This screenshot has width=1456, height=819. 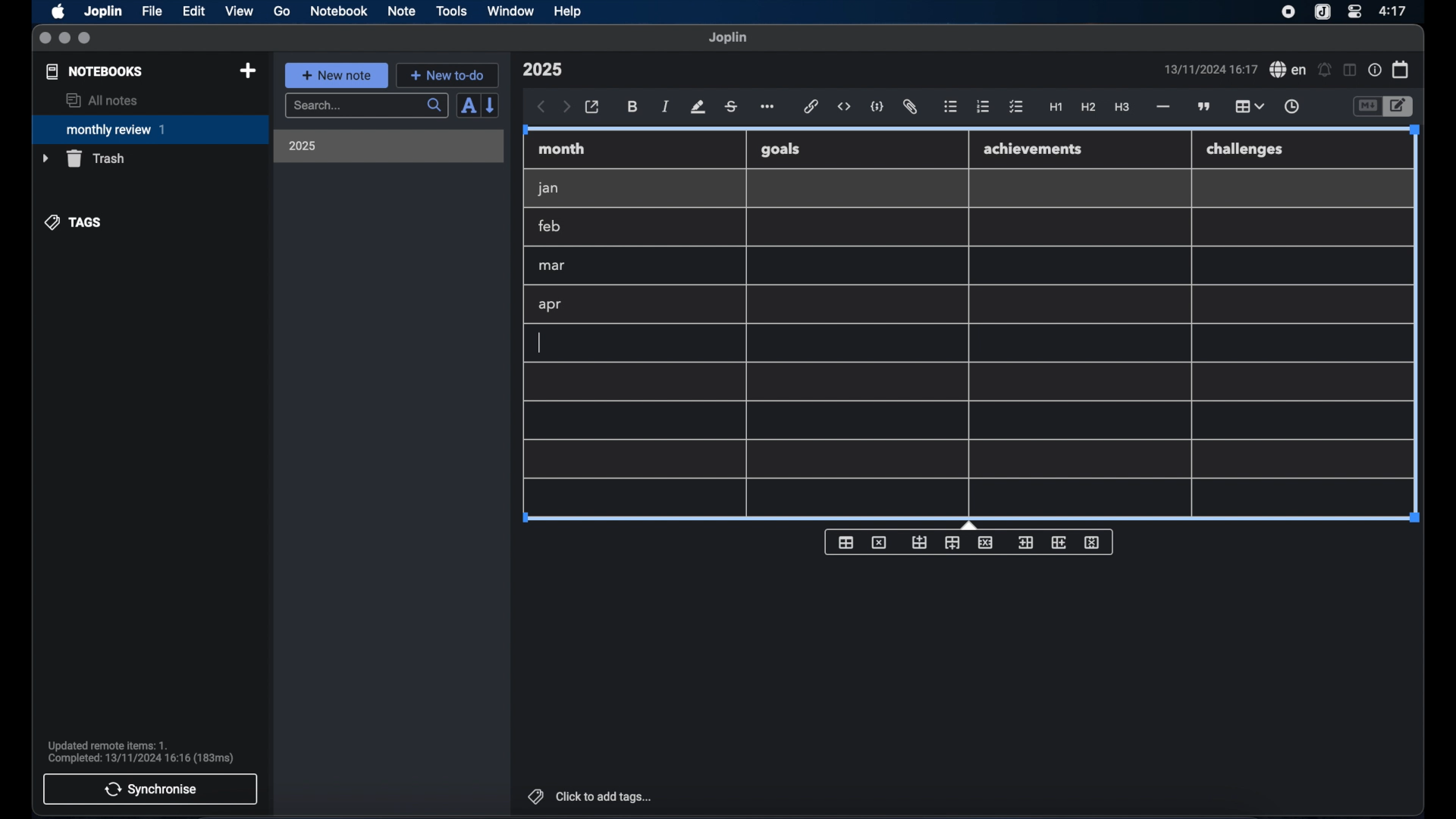 I want to click on toggle editor layout, so click(x=1351, y=70).